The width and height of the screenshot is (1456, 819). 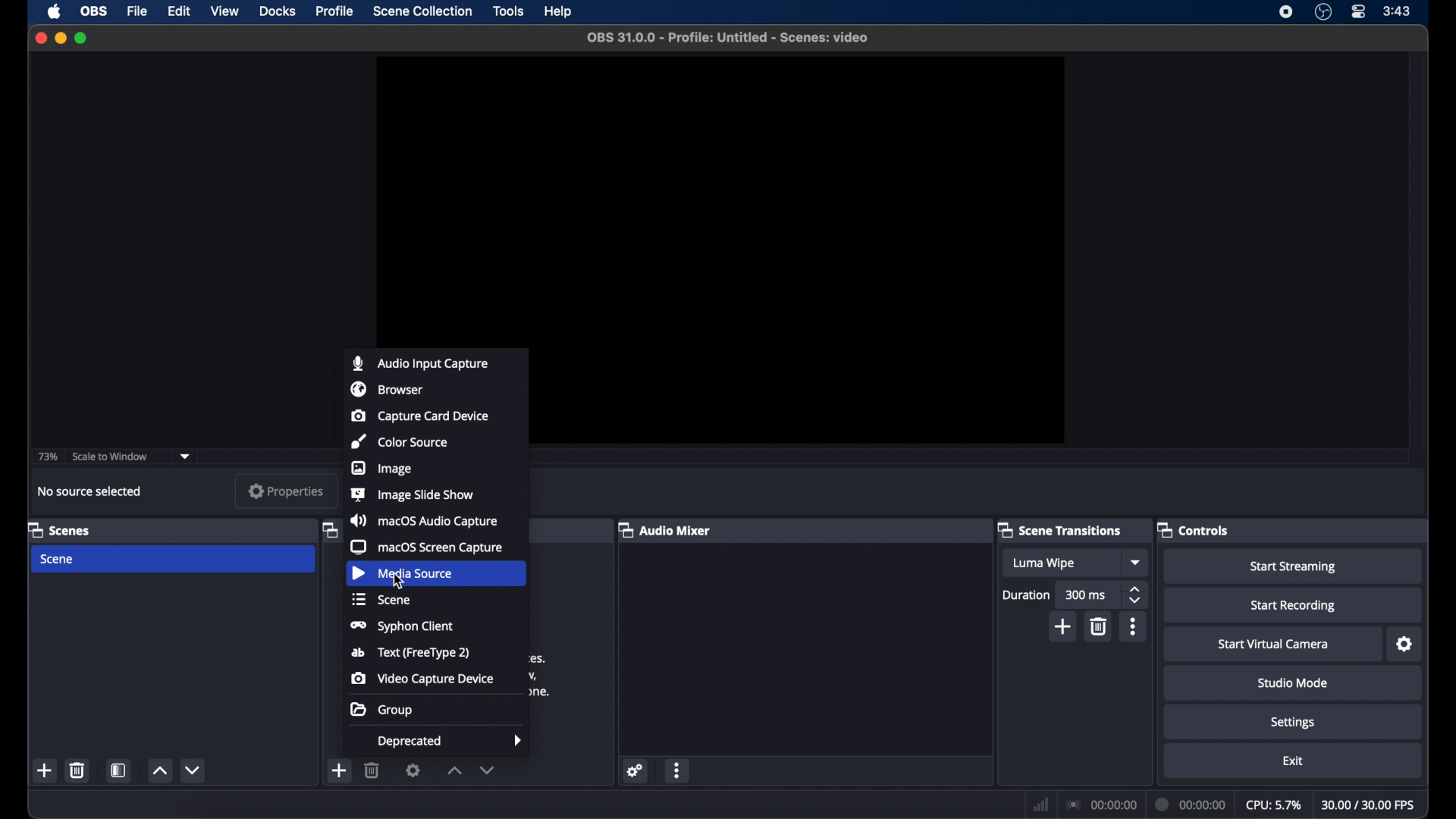 I want to click on close, so click(x=41, y=38).